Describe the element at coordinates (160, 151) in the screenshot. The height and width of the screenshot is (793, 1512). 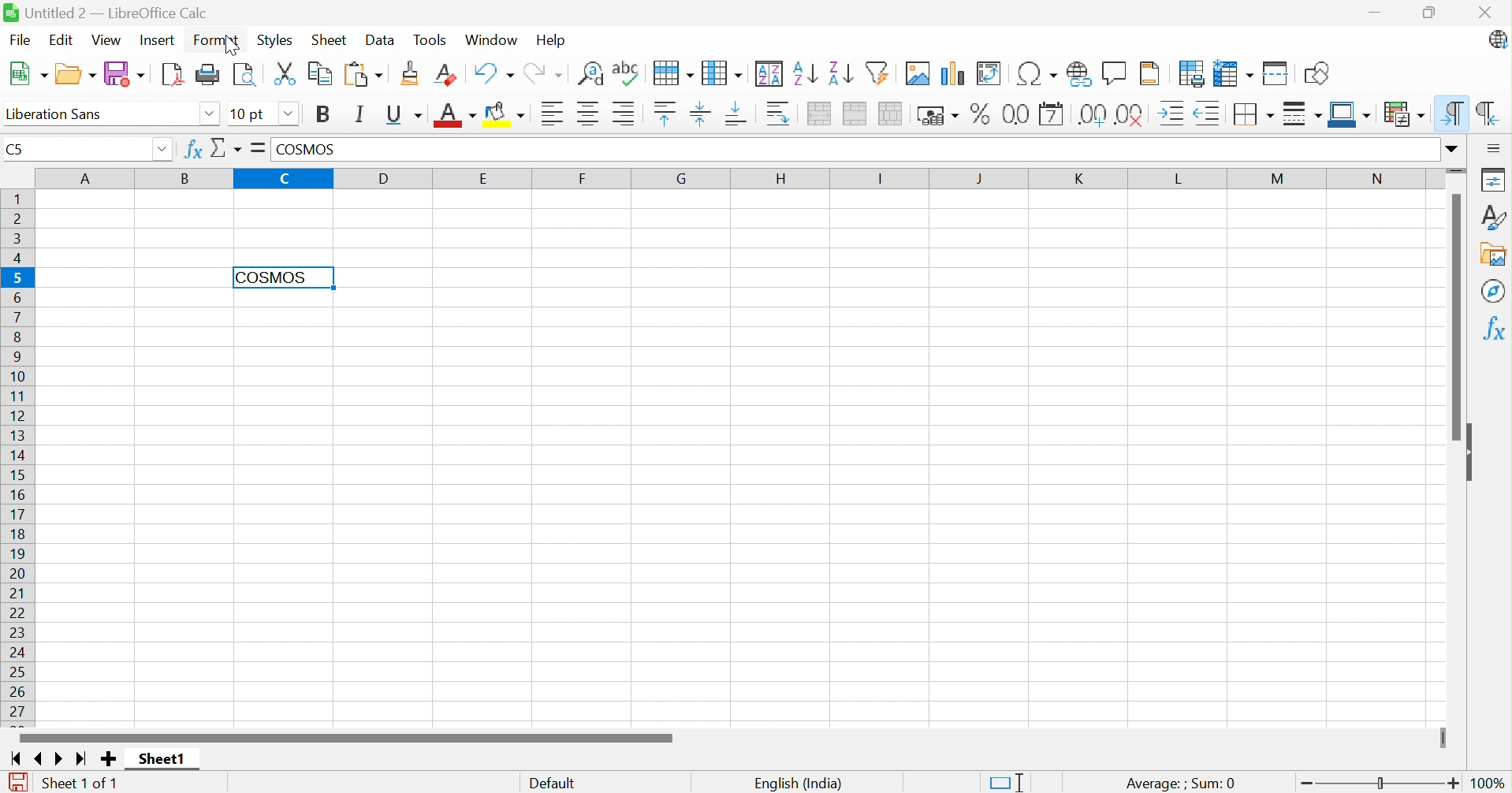
I see `Drop Down` at that location.